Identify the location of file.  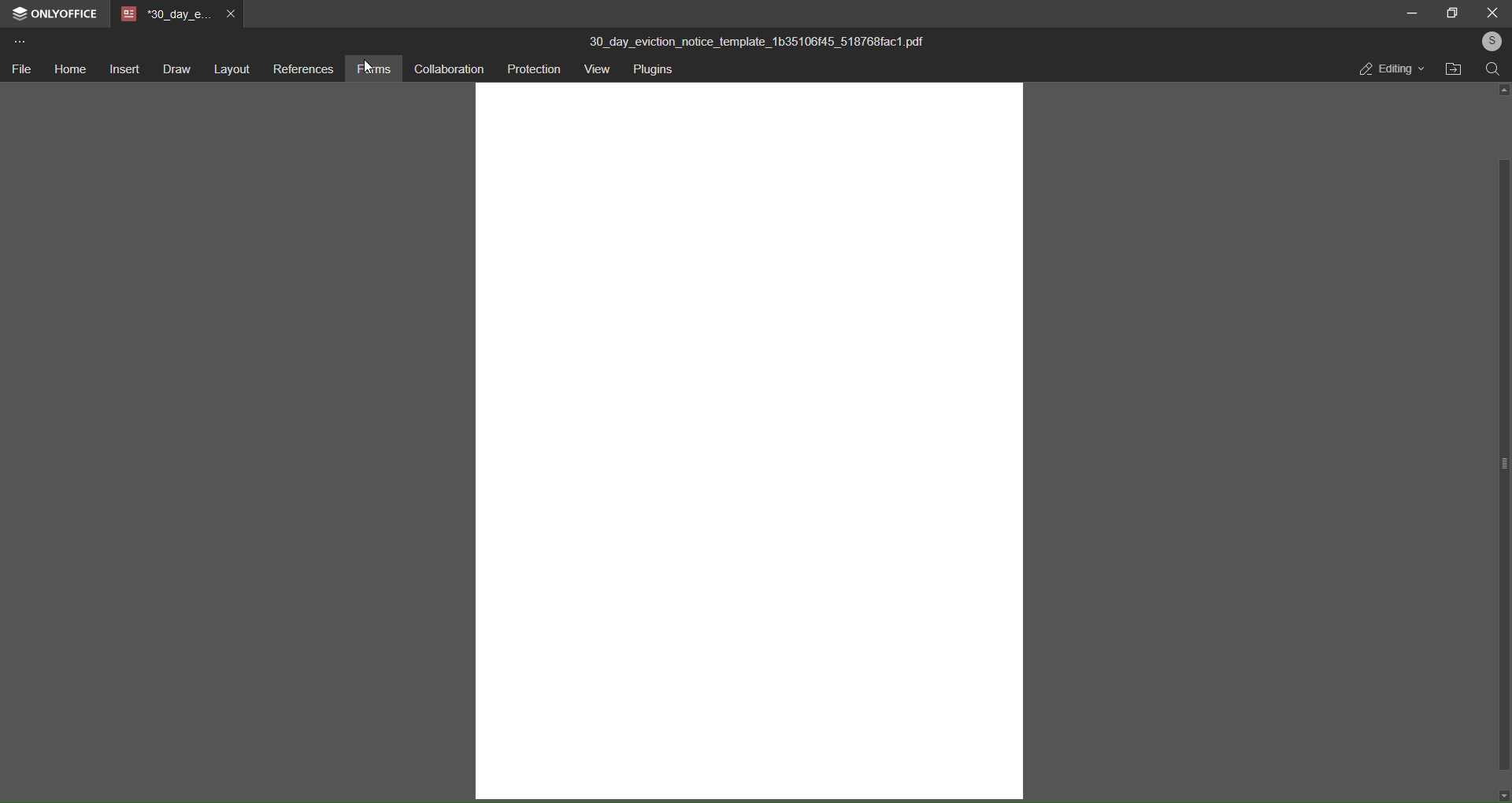
(21, 70).